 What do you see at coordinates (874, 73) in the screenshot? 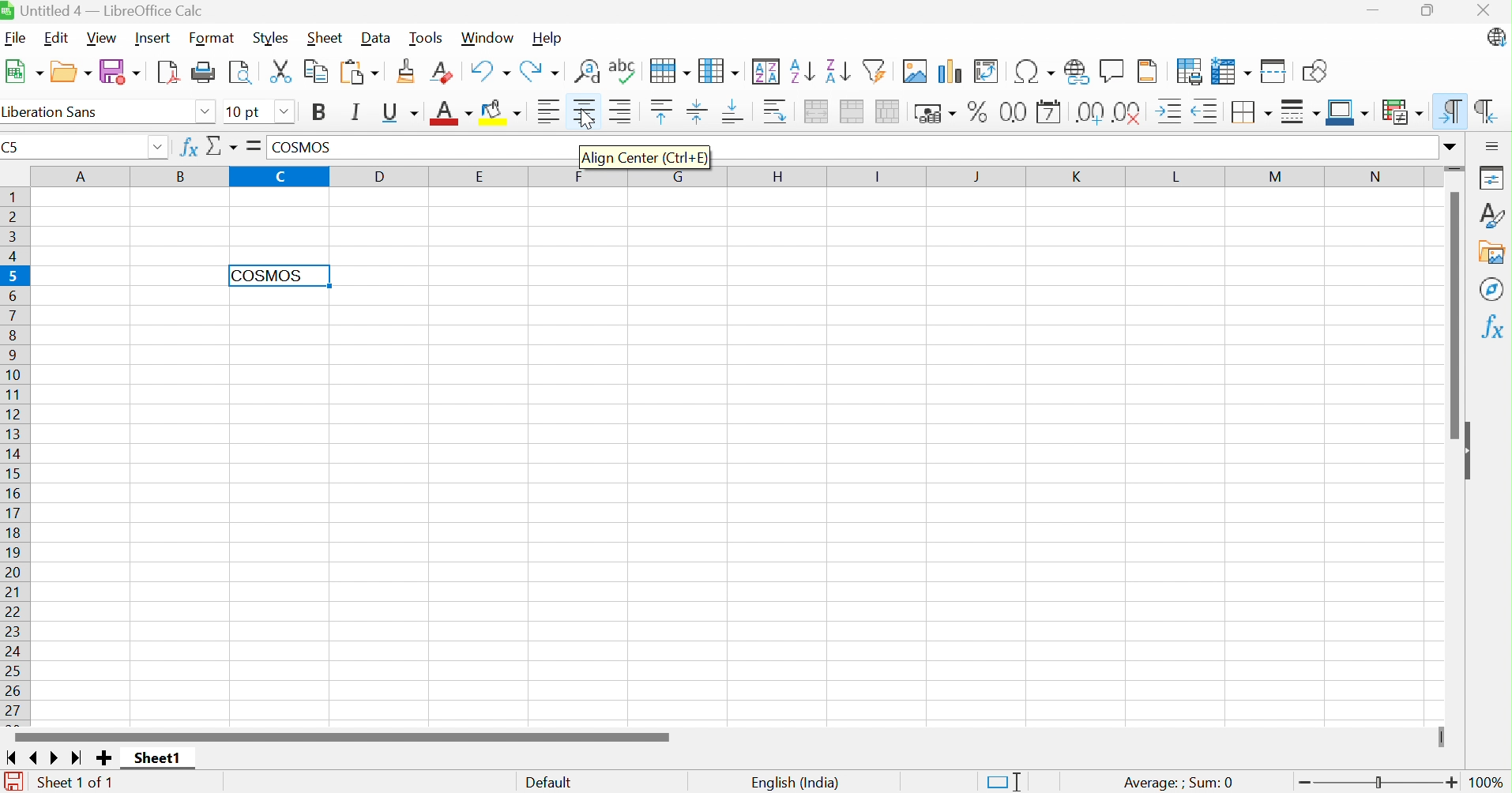
I see `AutoFilter` at bounding box center [874, 73].